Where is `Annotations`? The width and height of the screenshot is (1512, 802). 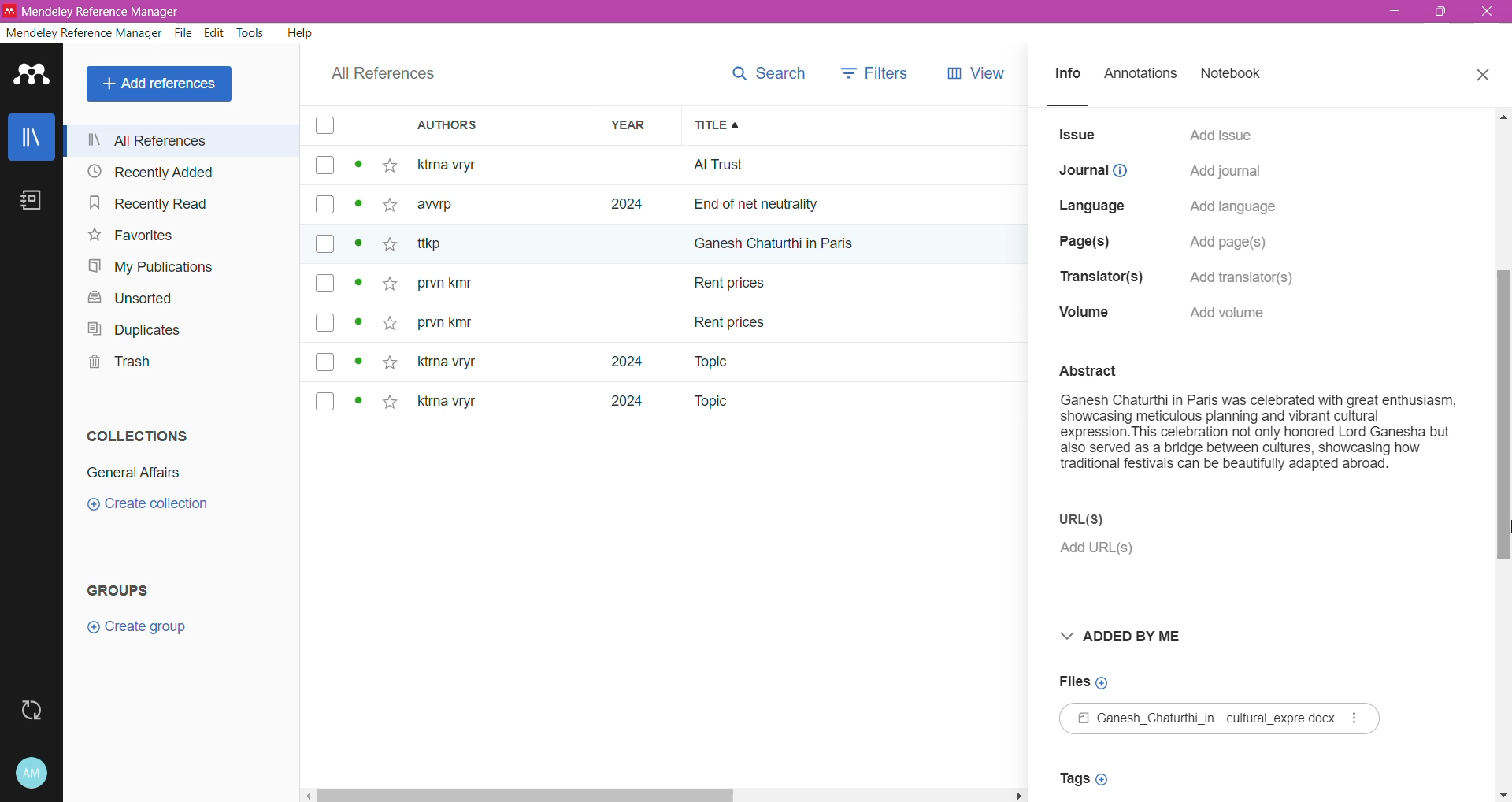 Annotations is located at coordinates (1145, 75).